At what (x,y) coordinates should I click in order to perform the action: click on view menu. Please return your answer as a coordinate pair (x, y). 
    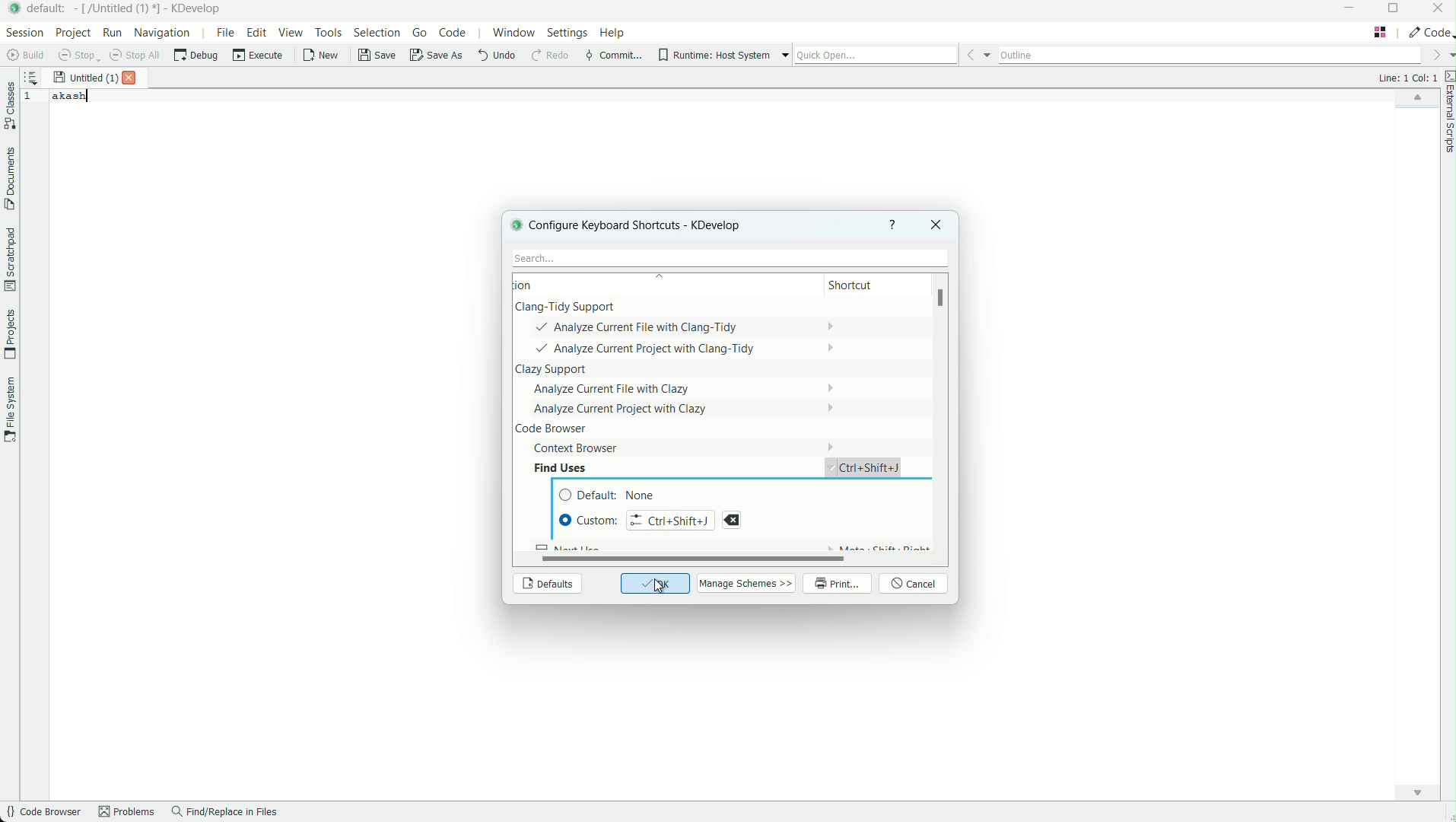
    Looking at the image, I should click on (293, 33).